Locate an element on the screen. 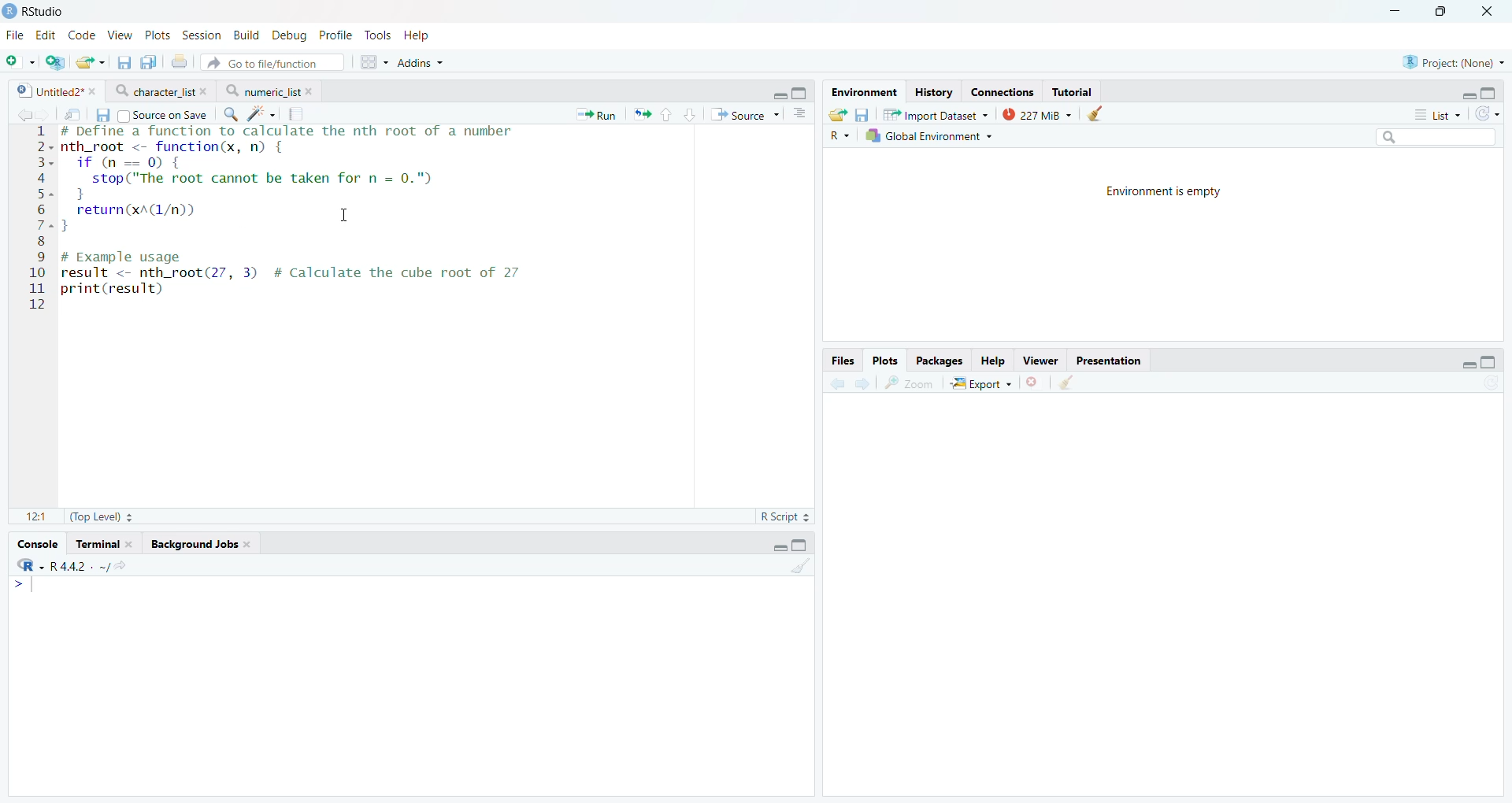  Open exisitng file is located at coordinates (90, 62).